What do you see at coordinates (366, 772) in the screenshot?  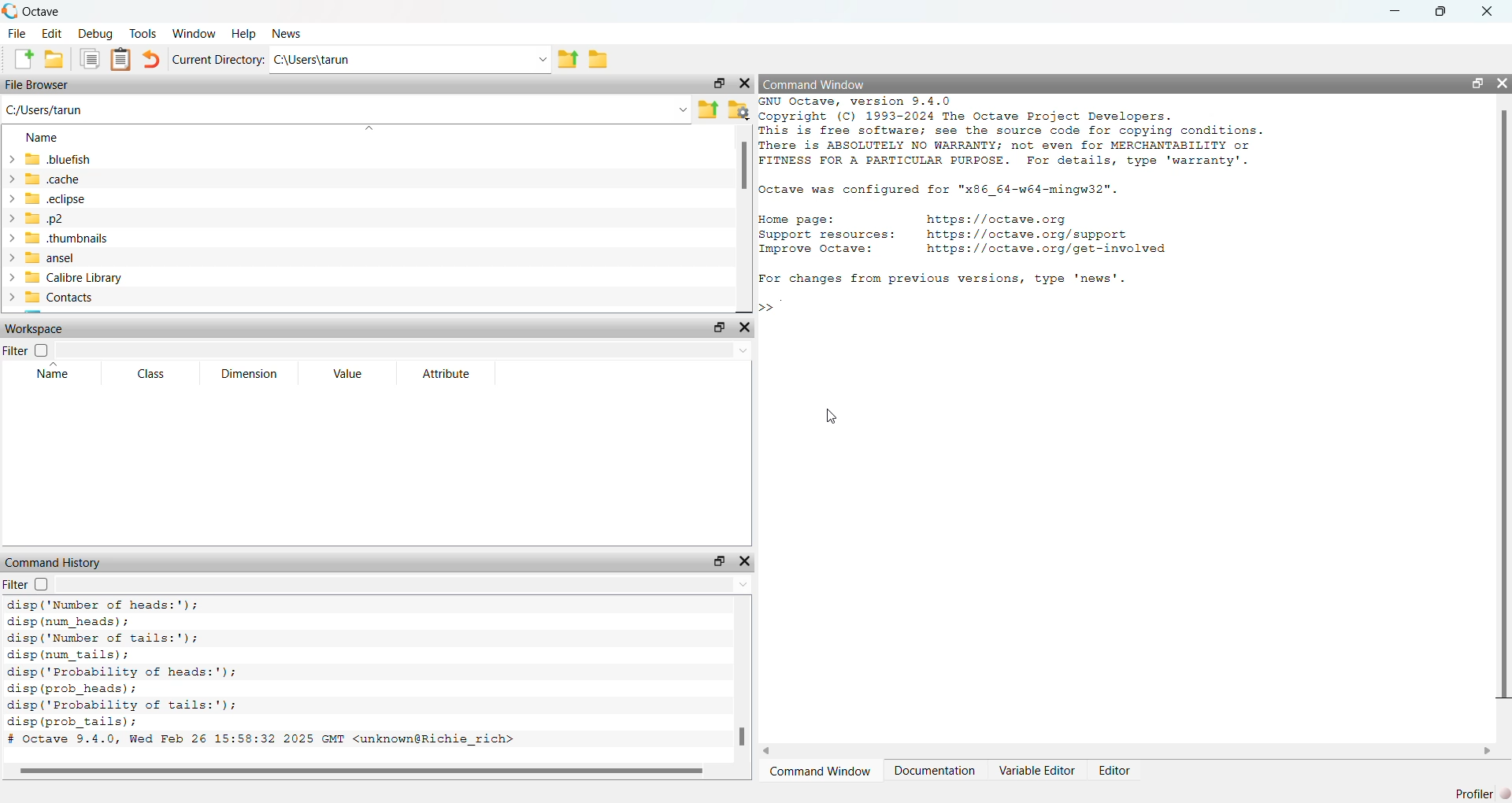 I see `horizontal scroll bar` at bounding box center [366, 772].